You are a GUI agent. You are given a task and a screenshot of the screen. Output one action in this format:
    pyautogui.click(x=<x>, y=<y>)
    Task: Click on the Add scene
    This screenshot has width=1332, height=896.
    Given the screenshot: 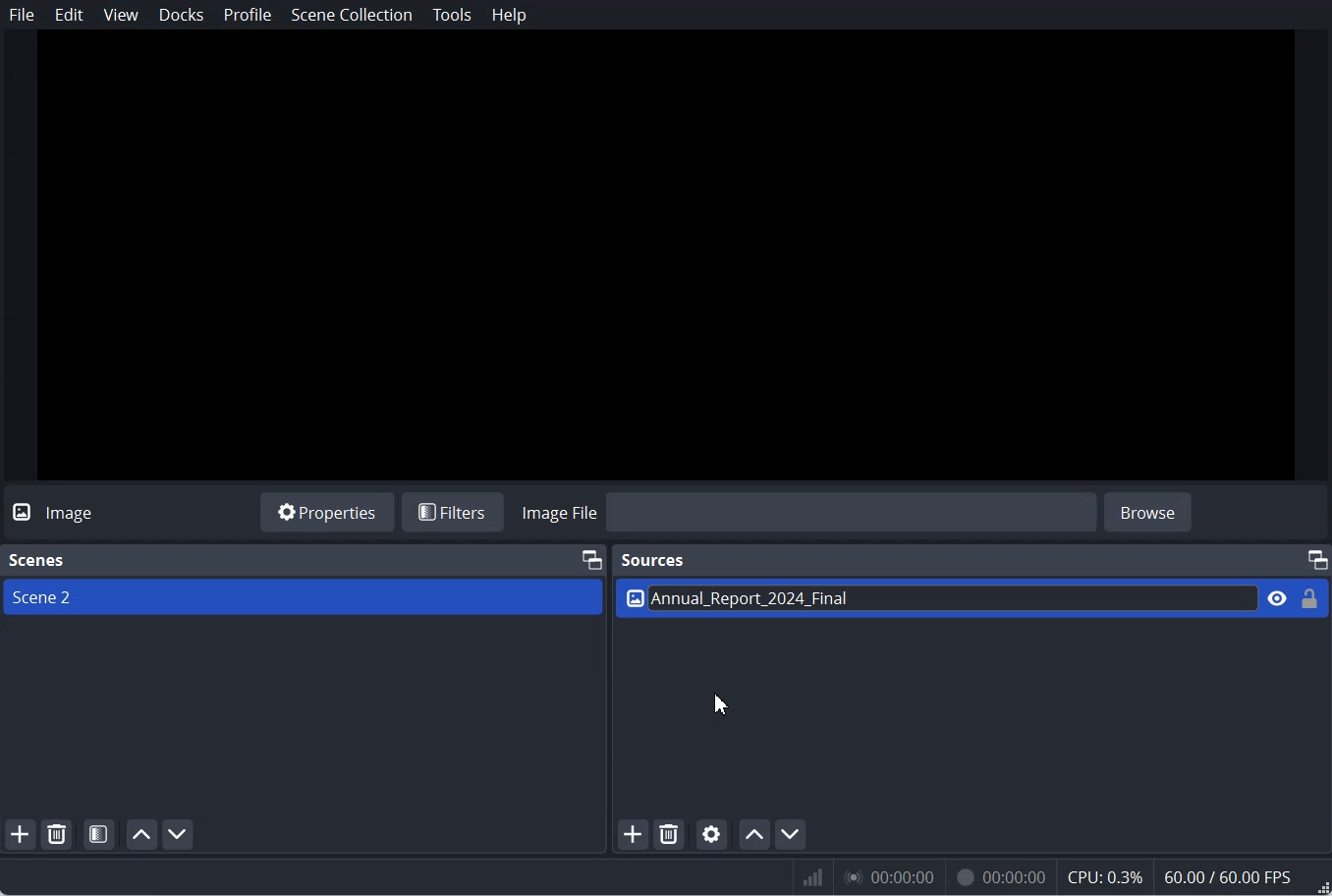 What is the action you would take?
    pyautogui.click(x=19, y=833)
    